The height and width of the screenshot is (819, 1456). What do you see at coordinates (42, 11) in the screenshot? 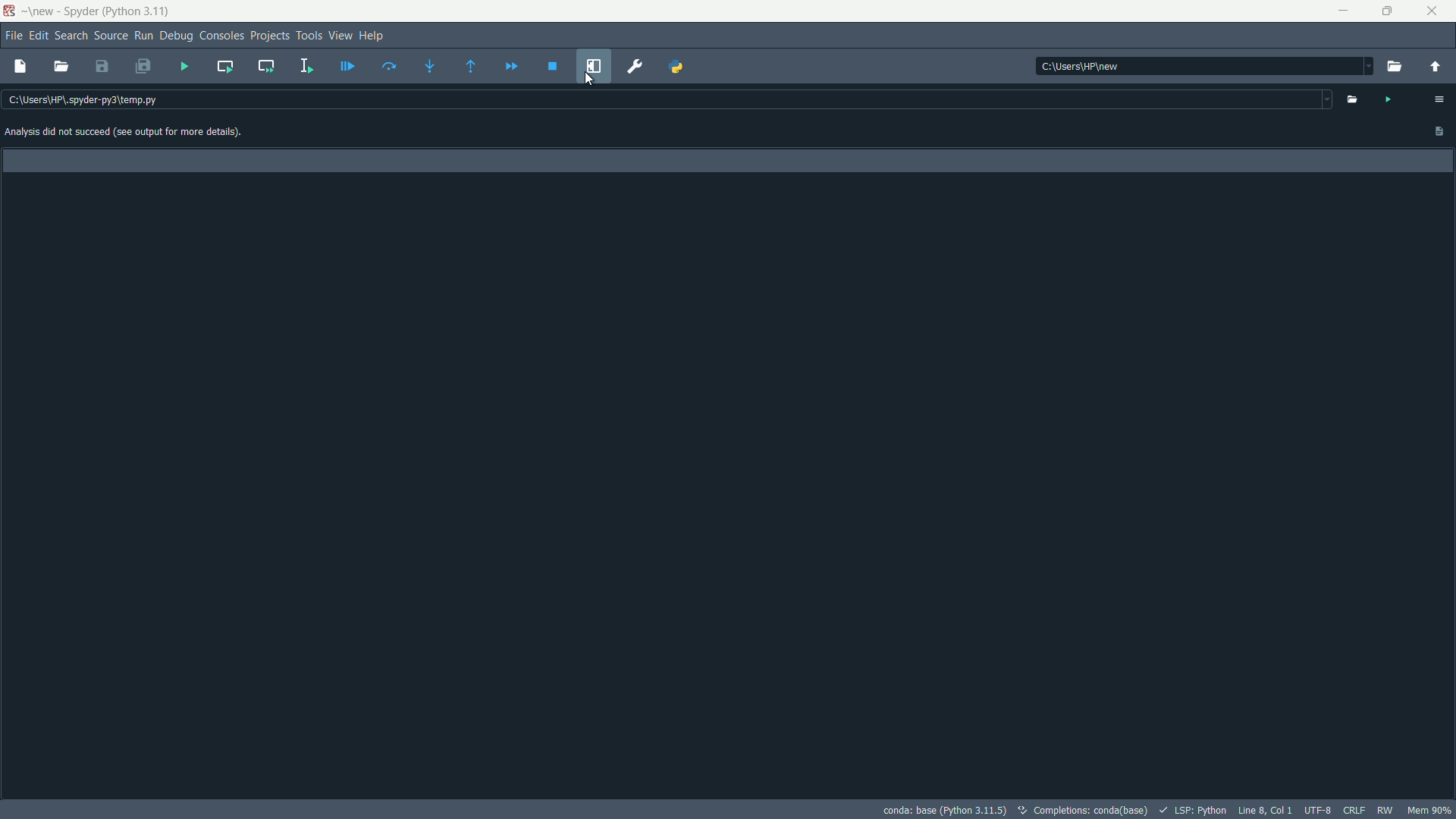
I see `new` at bounding box center [42, 11].